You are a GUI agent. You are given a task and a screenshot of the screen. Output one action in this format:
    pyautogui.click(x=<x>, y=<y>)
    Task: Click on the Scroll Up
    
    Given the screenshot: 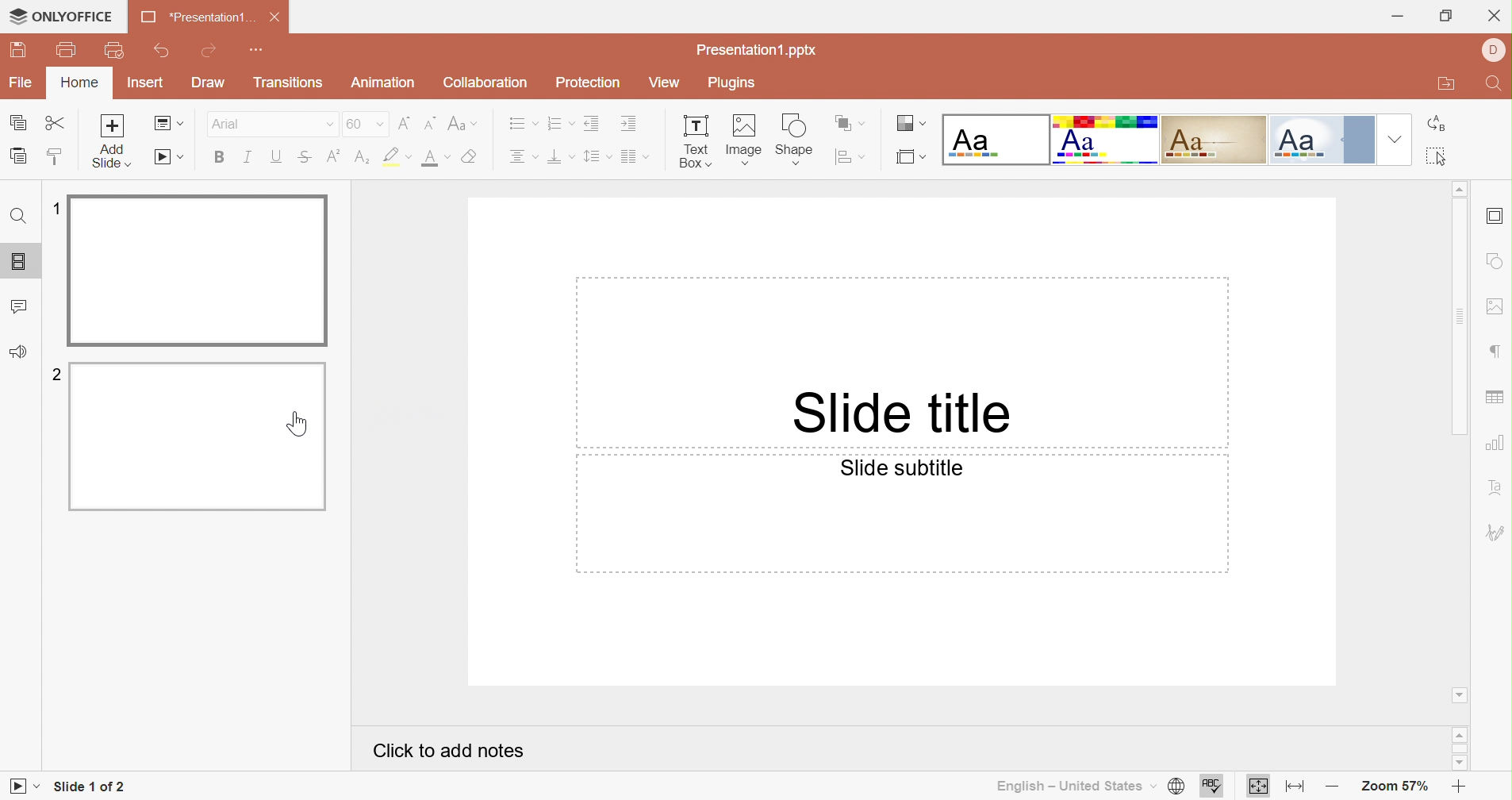 What is the action you would take?
    pyautogui.click(x=1461, y=733)
    